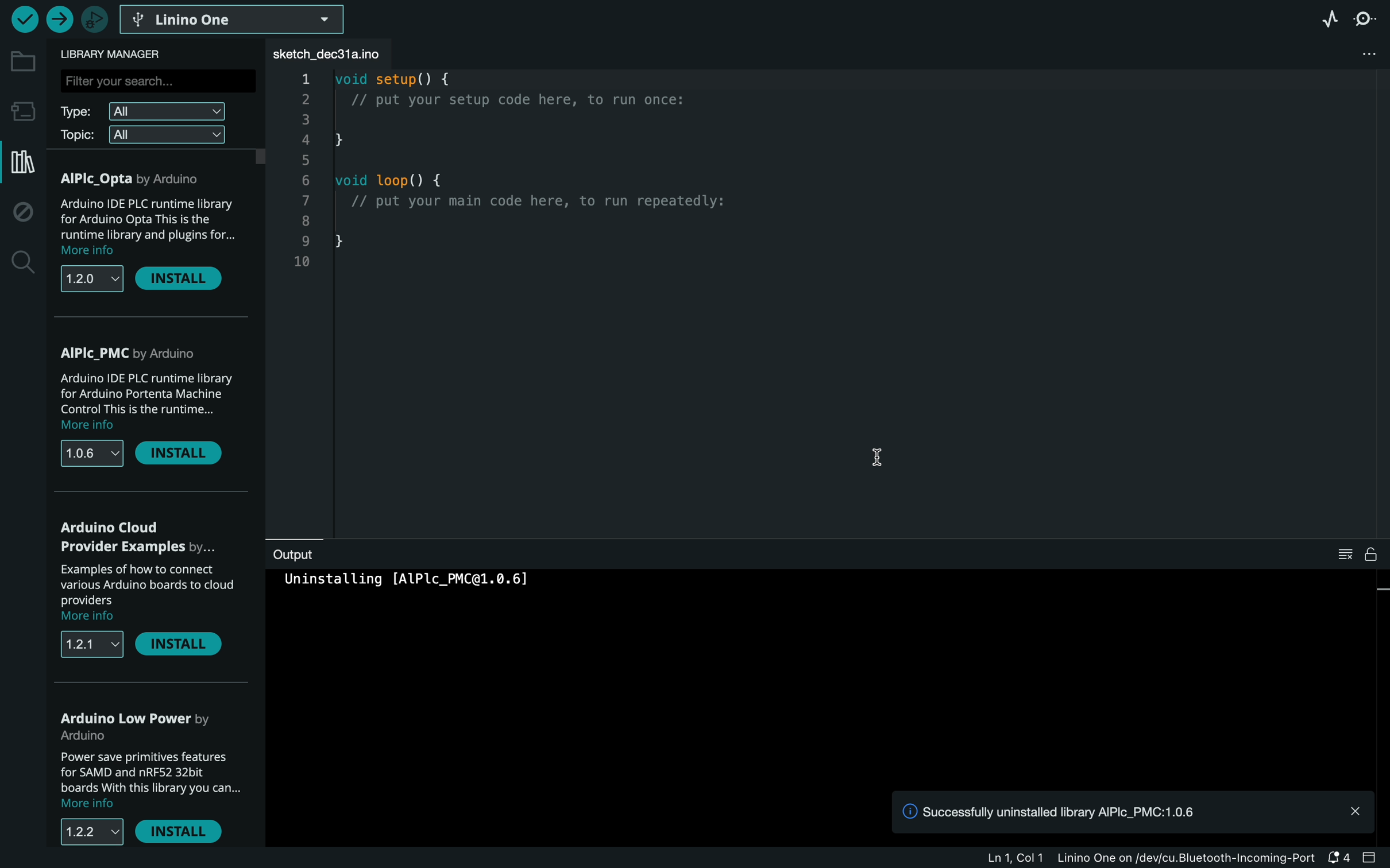  What do you see at coordinates (521, 191) in the screenshot?
I see `code` at bounding box center [521, 191].